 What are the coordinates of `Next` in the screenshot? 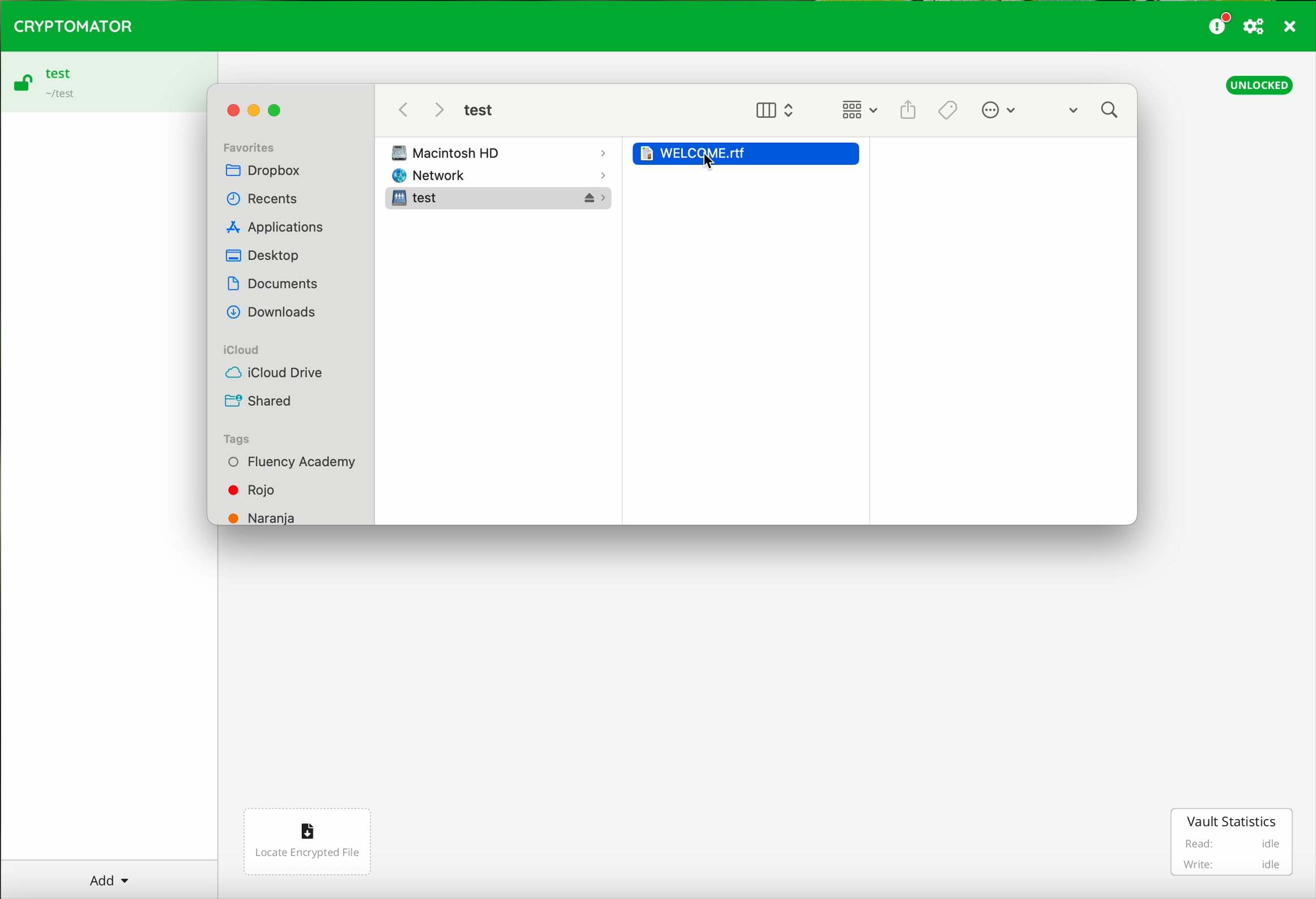 It's located at (439, 110).